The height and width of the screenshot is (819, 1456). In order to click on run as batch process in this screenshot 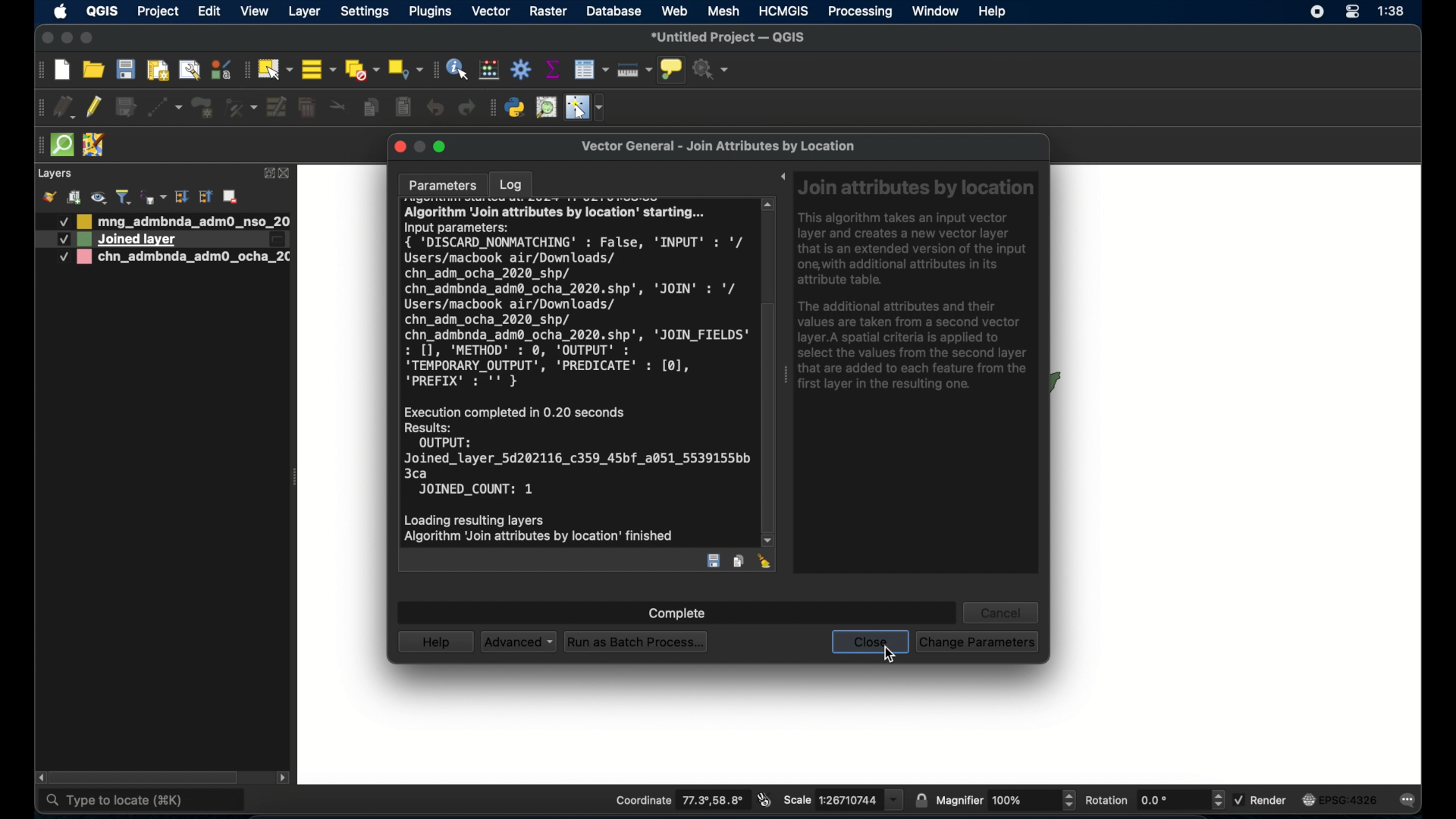, I will do `click(637, 642)`.